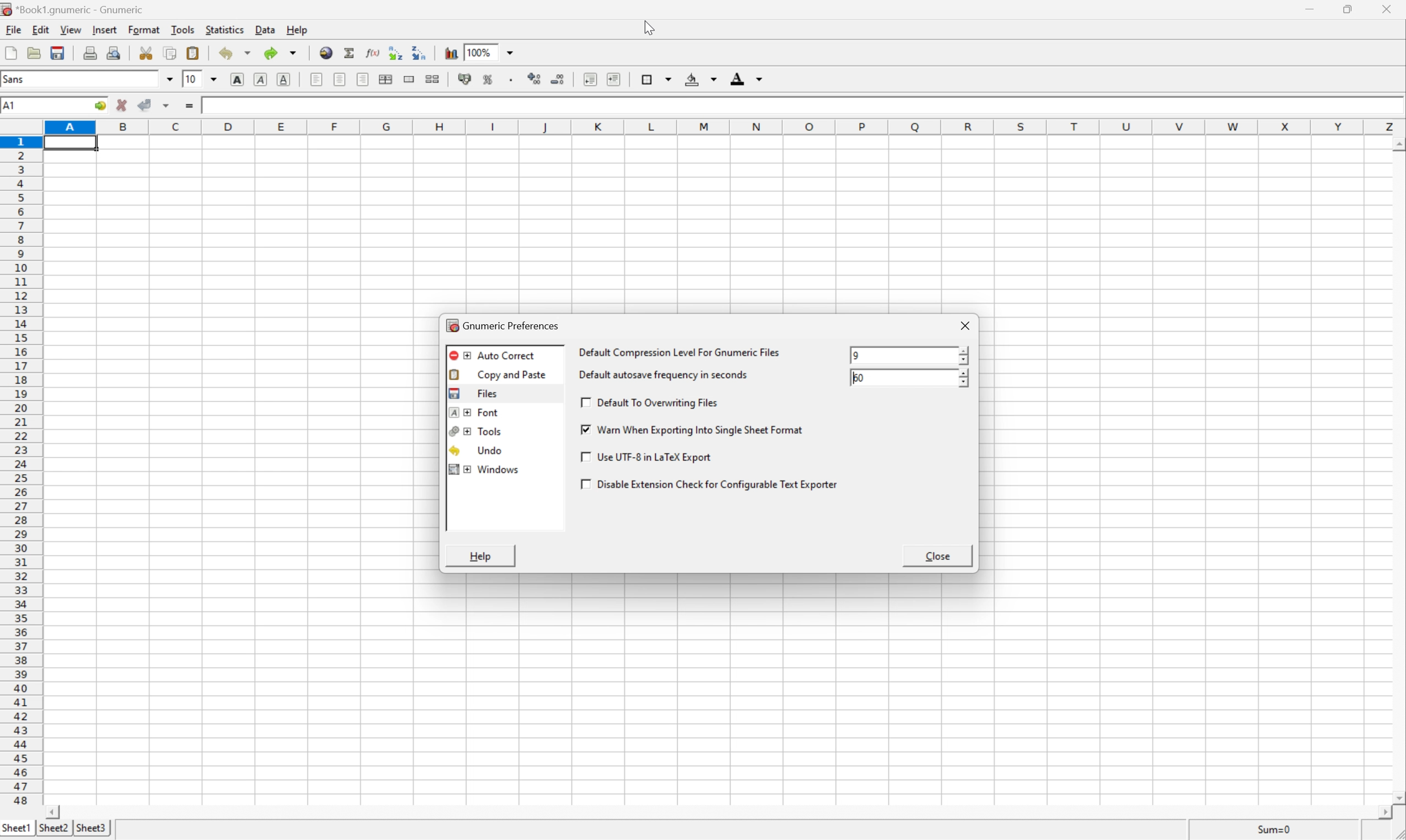 This screenshot has width=1406, height=840. Describe the element at coordinates (1397, 798) in the screenshot. I see `scroll down` at that location.